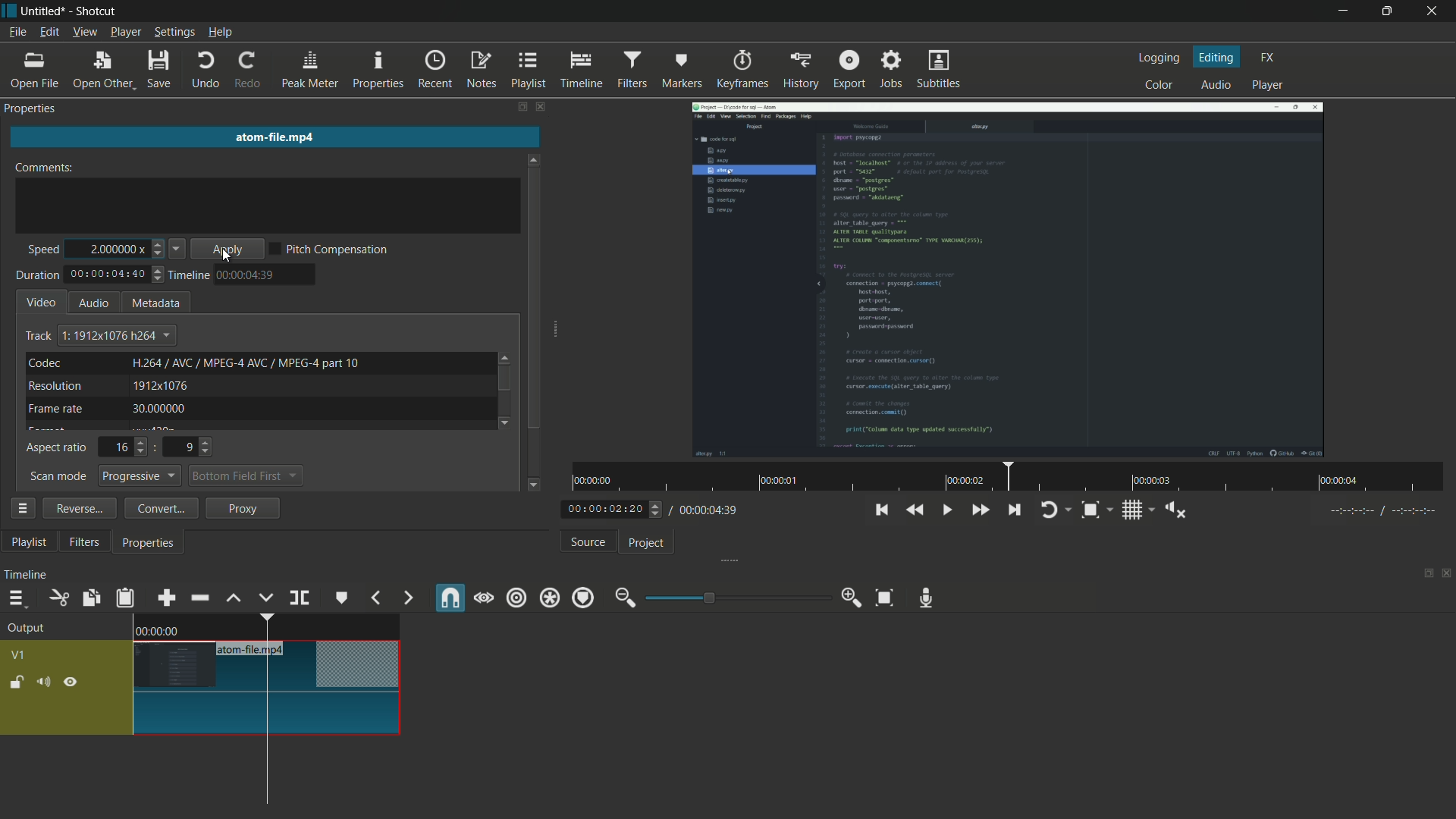 This screenshot has width=1456, height=819. I want to click on cursor, so click(227, 258).